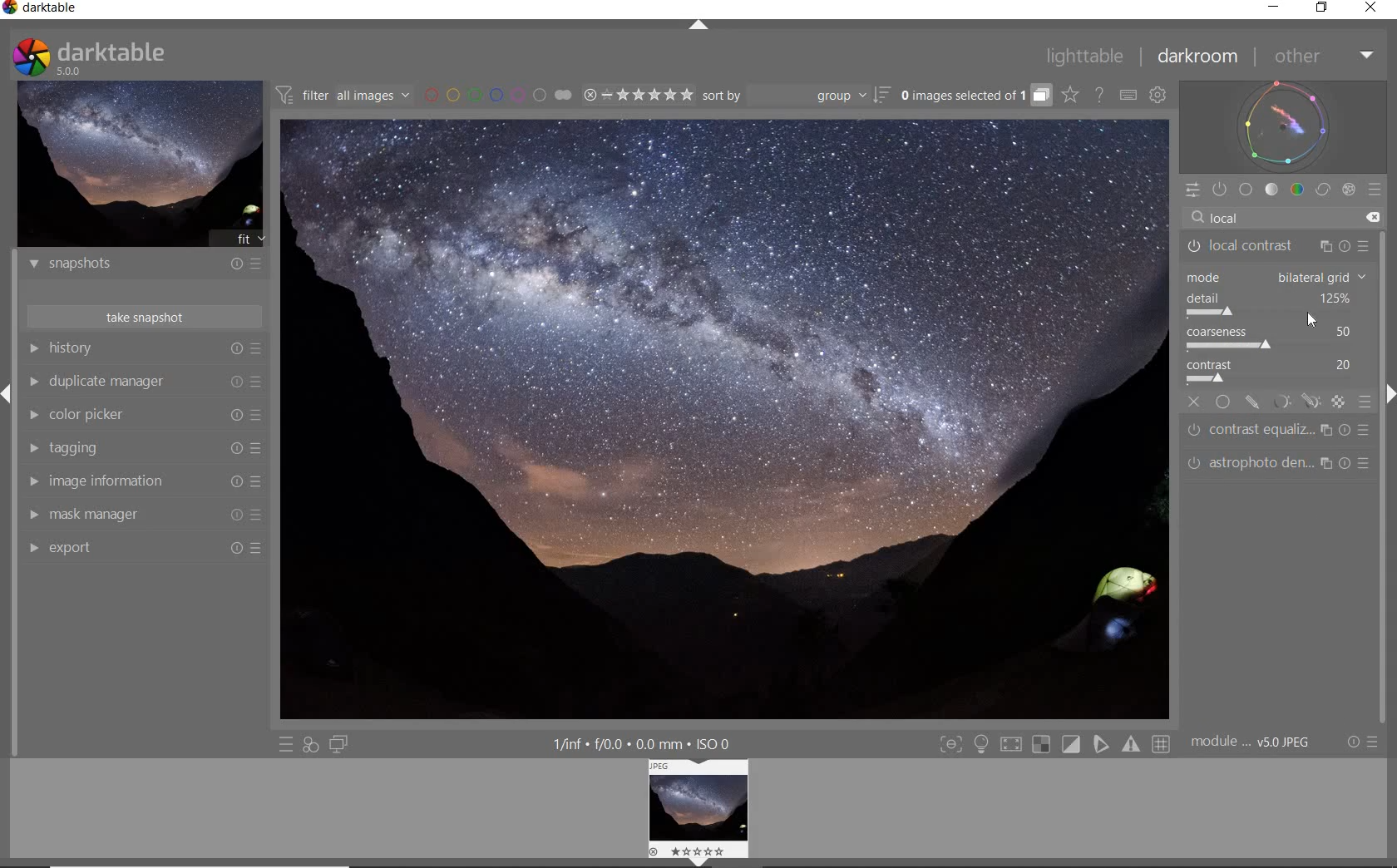 Image resolution: width=1397 pixels, height=868 pixels. What do you see at coordinates (72, 548) in the screenshot?
I see `Export` at bounding box center [72, 548].